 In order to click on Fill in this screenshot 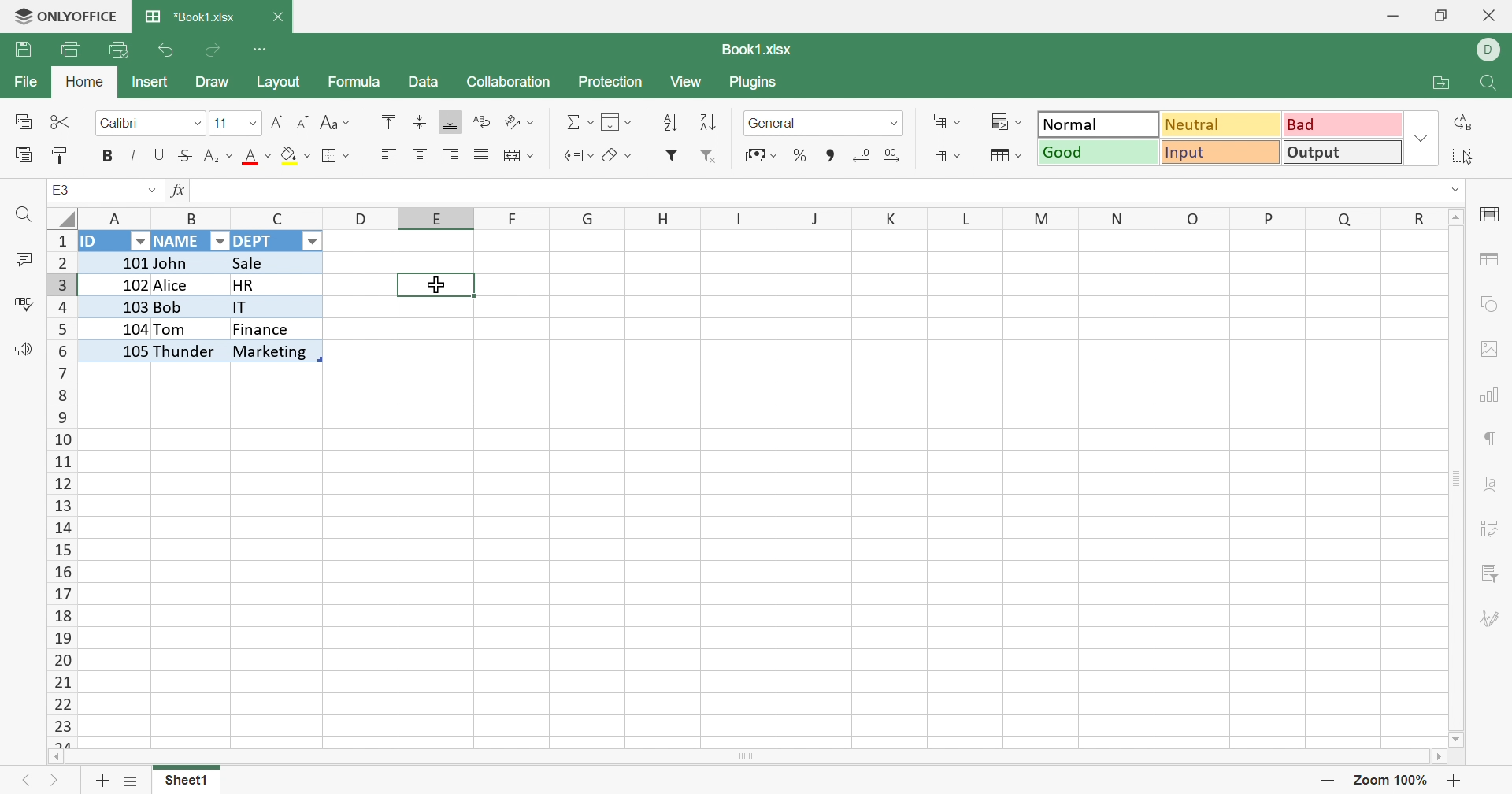, I will do `click(616, 121)`.